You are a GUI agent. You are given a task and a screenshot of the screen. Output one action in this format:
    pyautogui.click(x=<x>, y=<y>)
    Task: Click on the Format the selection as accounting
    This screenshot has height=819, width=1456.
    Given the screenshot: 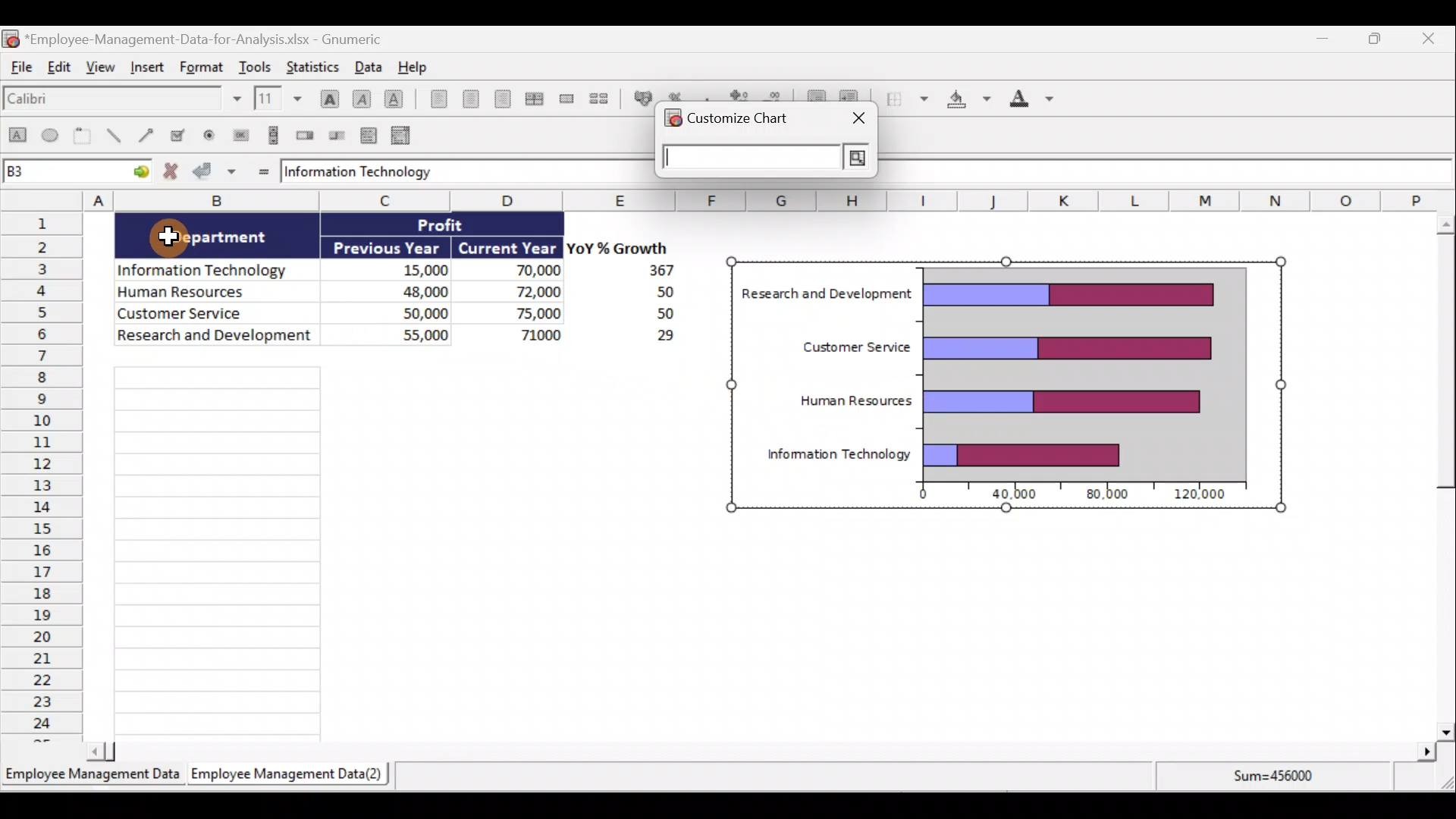 What is the action you would take?
    pyautogui.click(x=642, y=99)
    